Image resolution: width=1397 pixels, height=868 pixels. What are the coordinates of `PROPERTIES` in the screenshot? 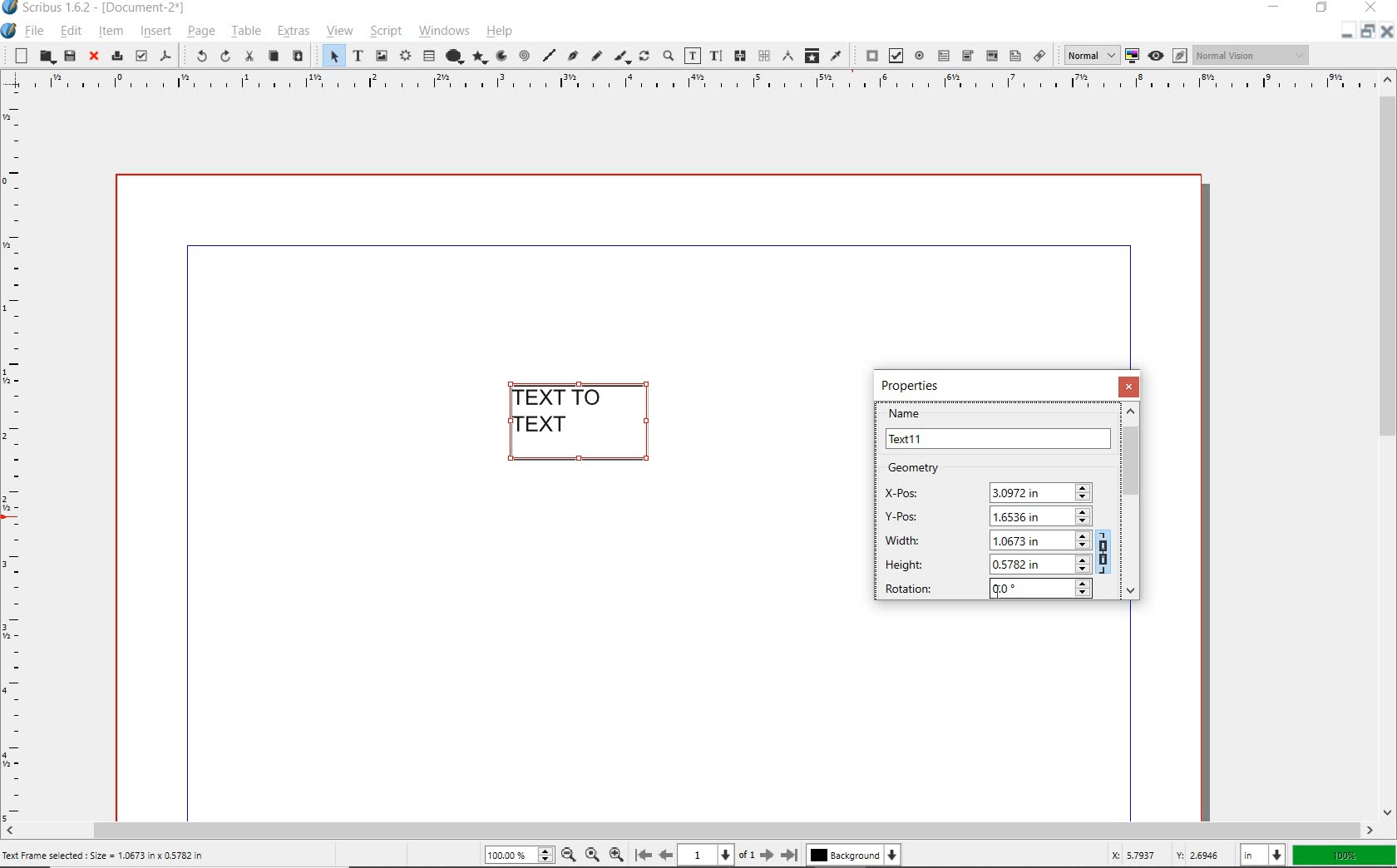 It's located at (914, 385).